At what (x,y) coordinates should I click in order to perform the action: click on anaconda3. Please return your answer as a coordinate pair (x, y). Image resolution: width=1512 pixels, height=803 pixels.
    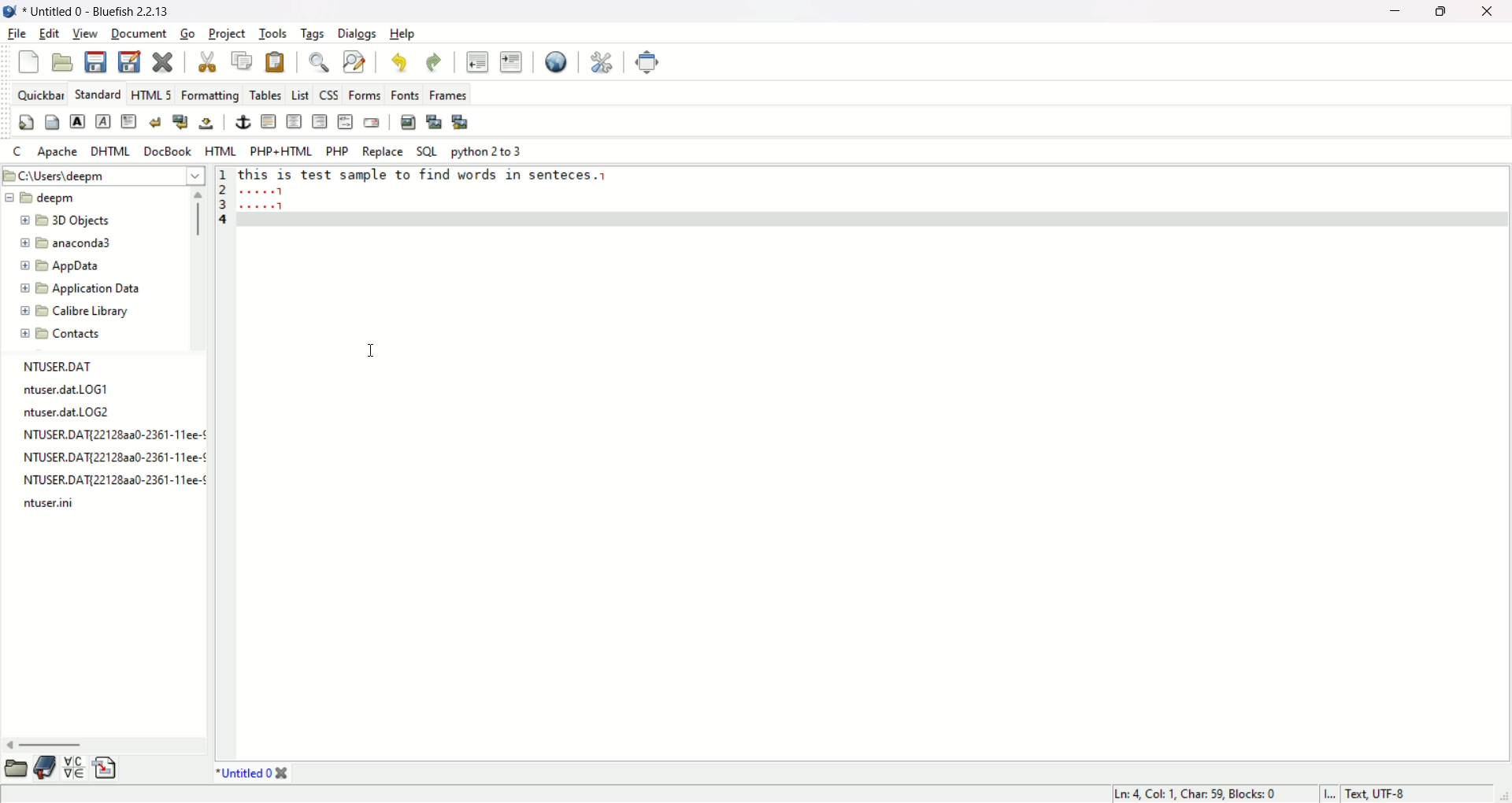
    Looking at the image, I should click on (96, 243).